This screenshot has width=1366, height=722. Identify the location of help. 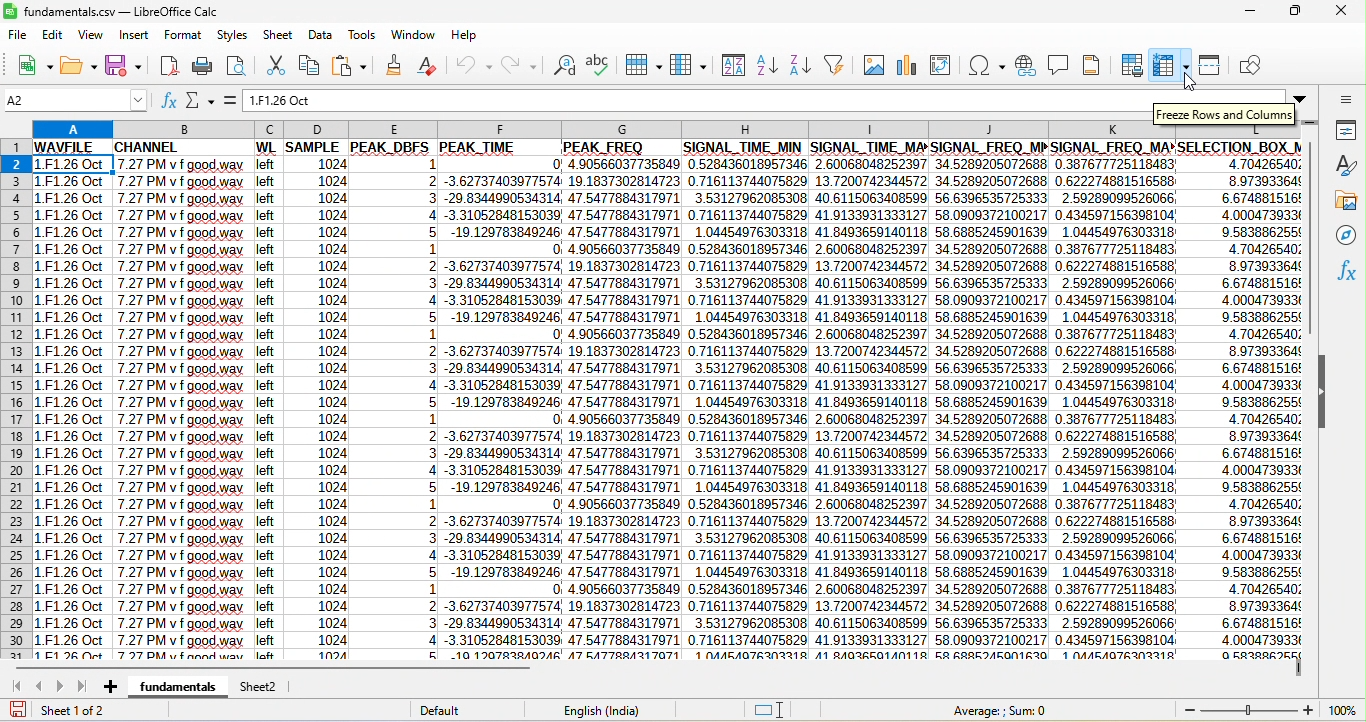
(462, 32).